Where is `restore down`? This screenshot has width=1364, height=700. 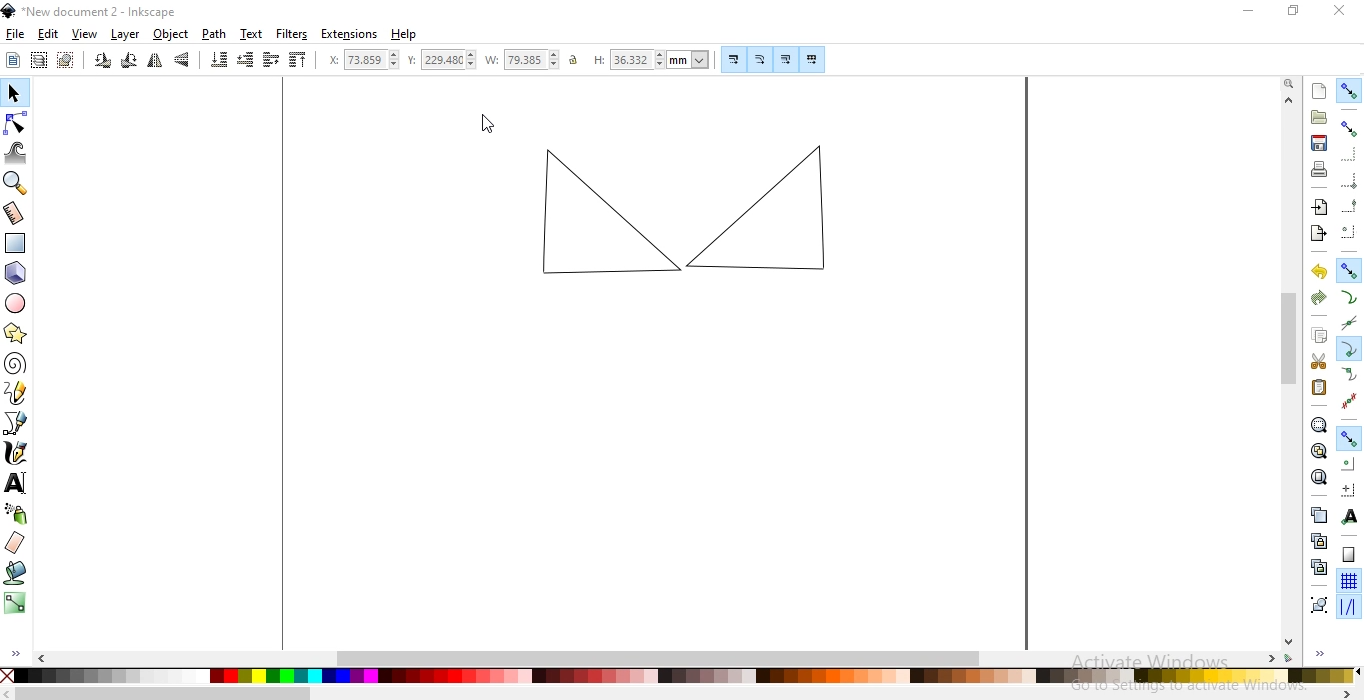
restore down is located at coordinates (1292, 10).